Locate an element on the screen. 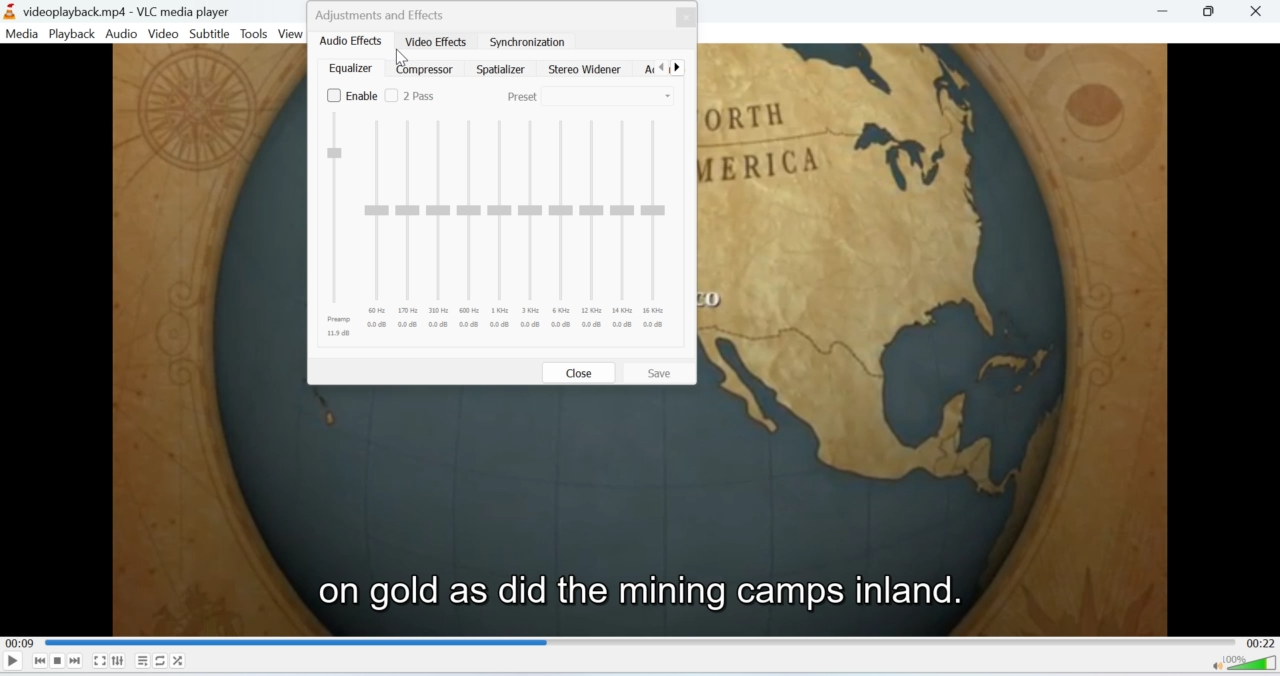 The image size is (1280, 676). Tools is located at coordinates (255, 34).